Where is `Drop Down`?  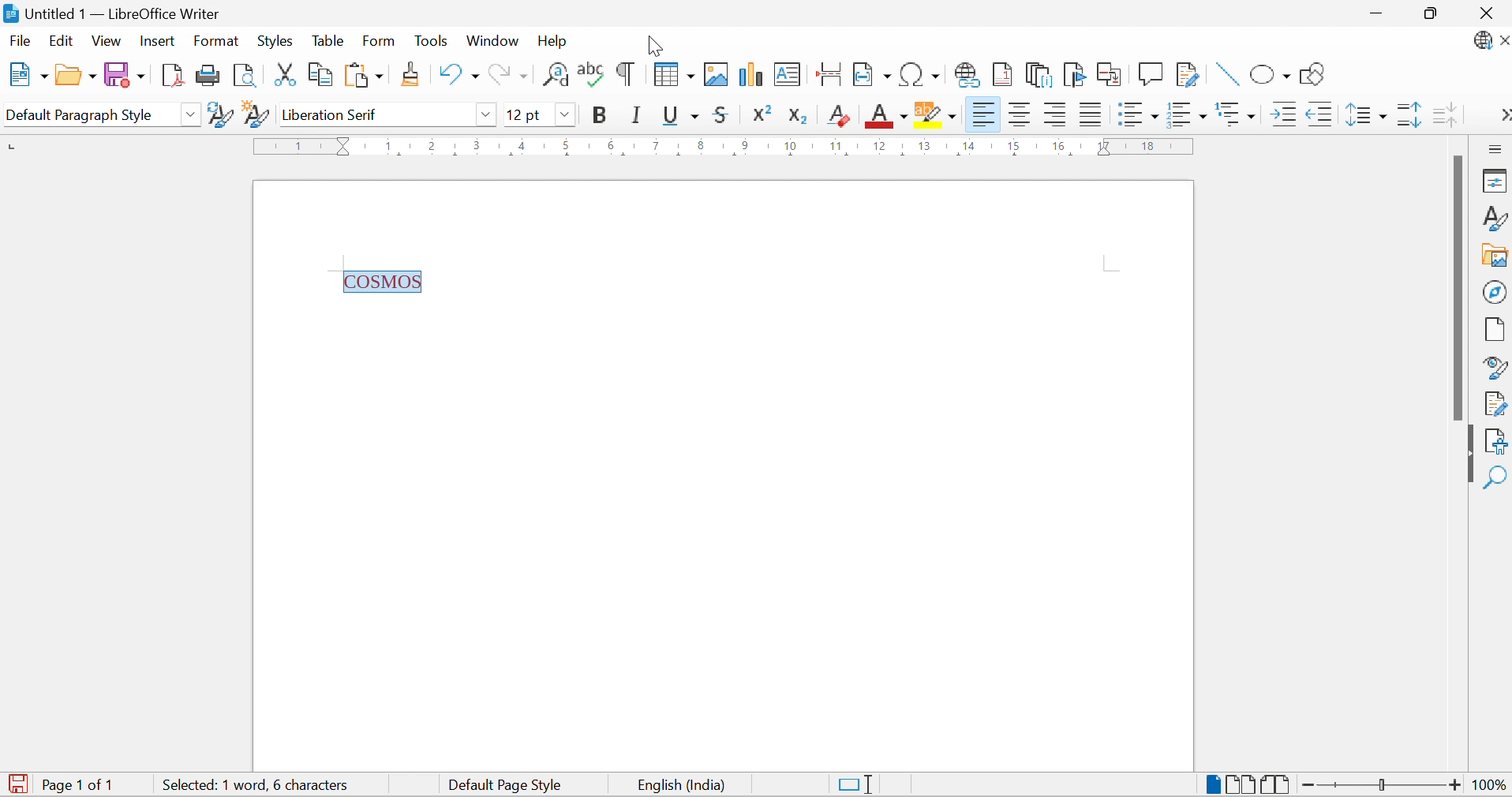 Drop Down is located at coordinates (192, 114).